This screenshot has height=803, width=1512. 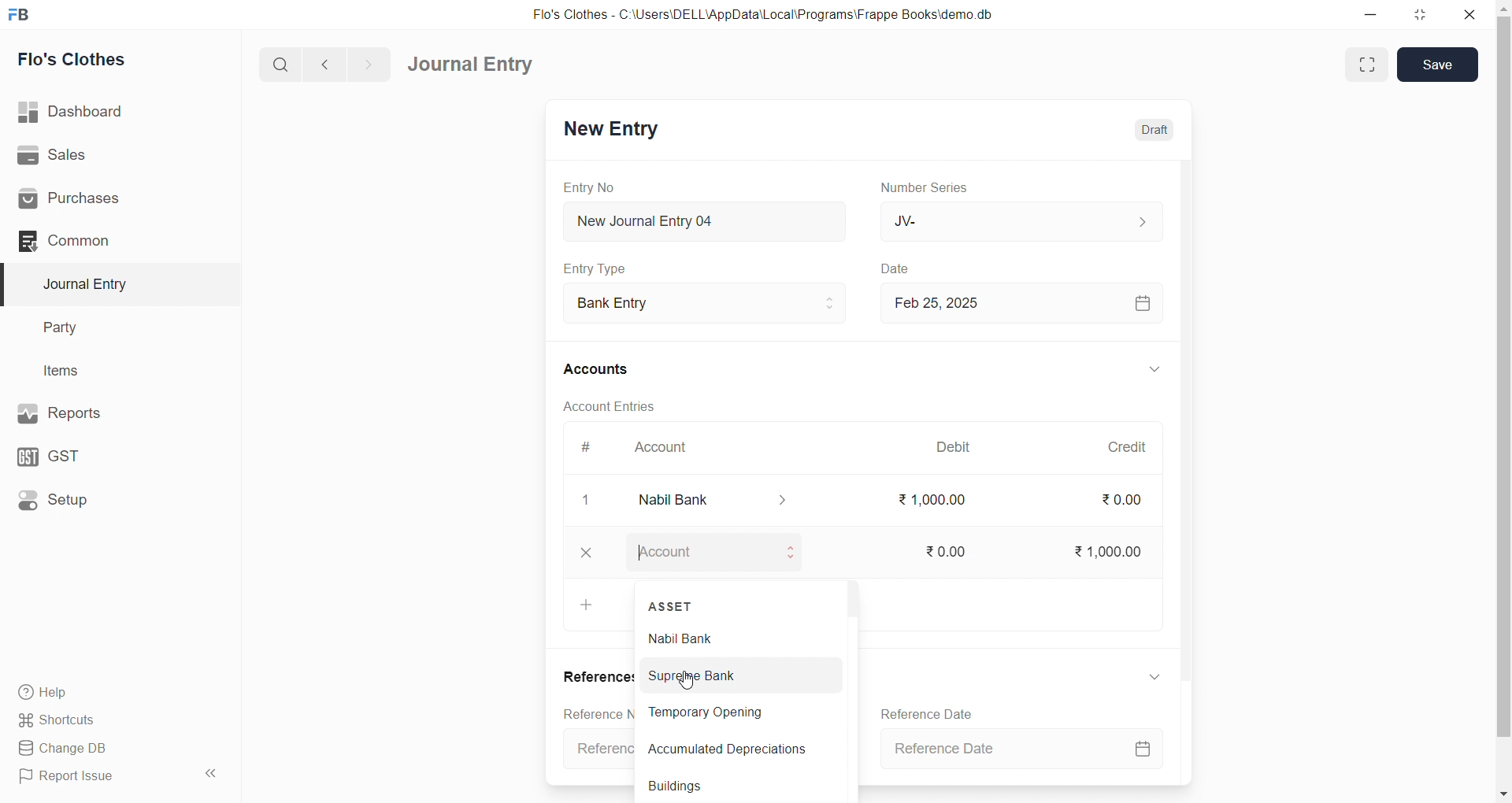 What do you see at coordinates (476, 65) in the screenshot?
I see `Journal Entry` at bounding box center [476, 65].